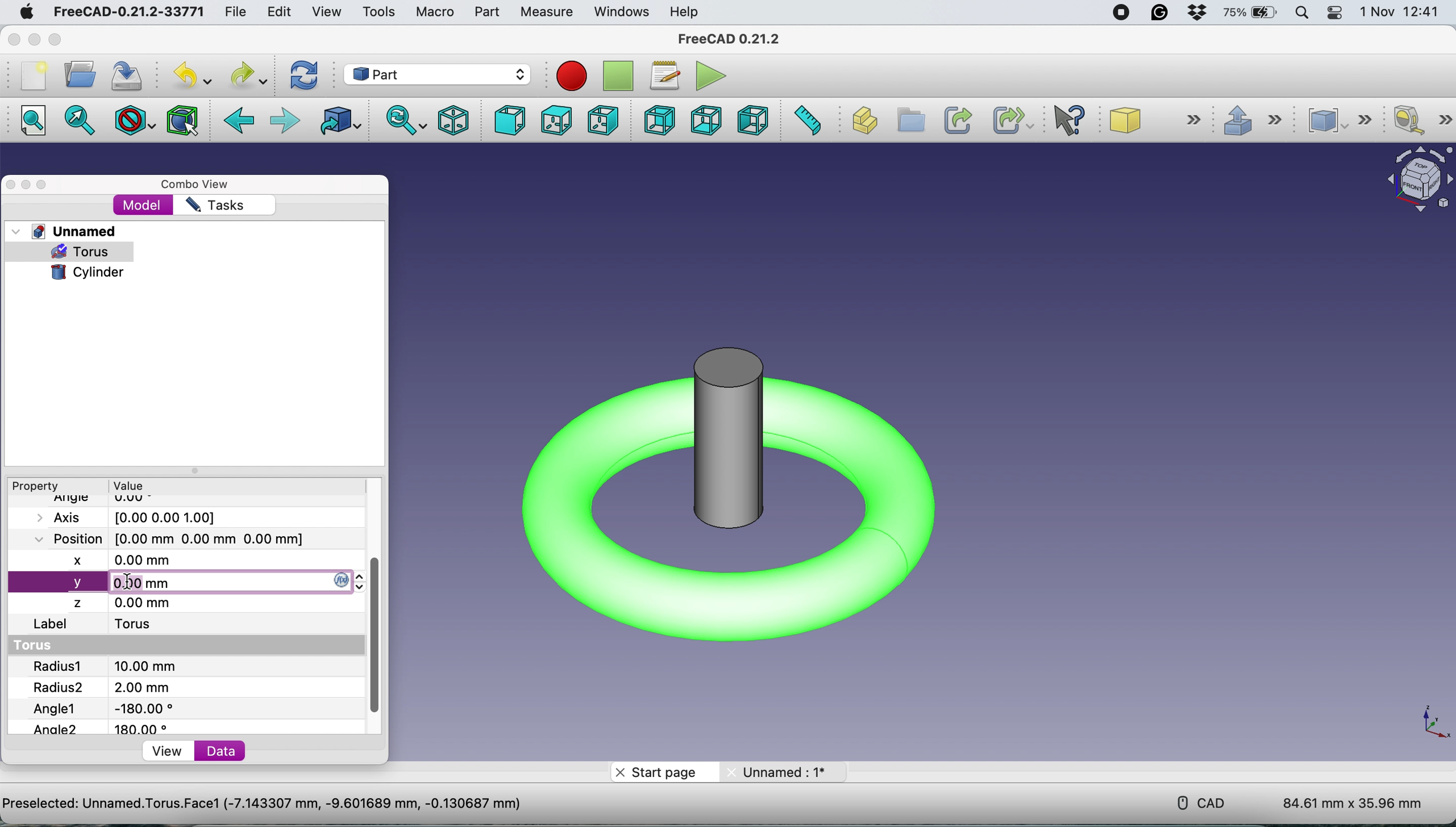  What do you see at coordinates (326, 12) in the screenshot?
I see `view` at bounding box center [326, 12].